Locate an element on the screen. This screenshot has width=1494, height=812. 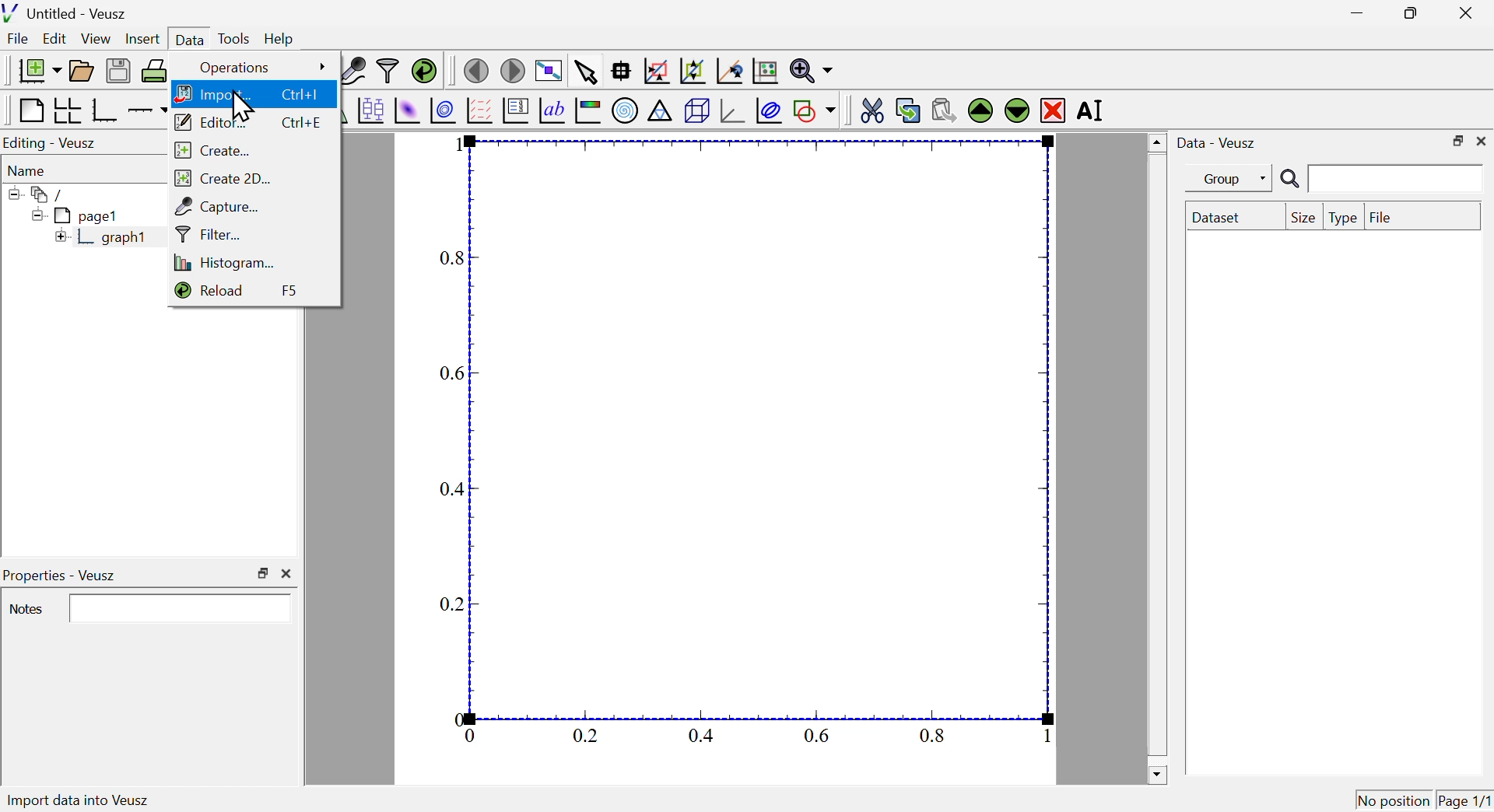
Insert is located at coordinates (141, 37).